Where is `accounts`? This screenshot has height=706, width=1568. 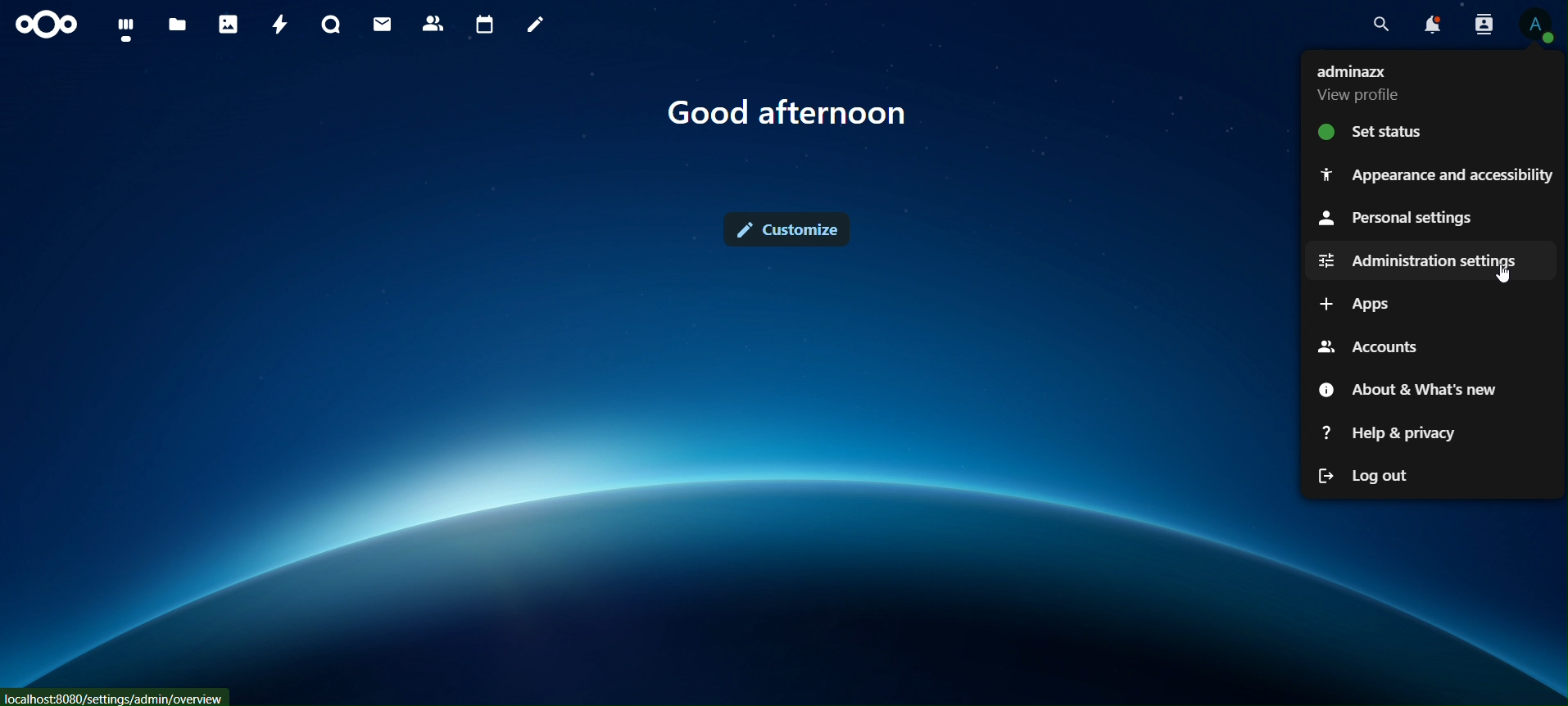
accounts is located at coordinates (1365, 342).